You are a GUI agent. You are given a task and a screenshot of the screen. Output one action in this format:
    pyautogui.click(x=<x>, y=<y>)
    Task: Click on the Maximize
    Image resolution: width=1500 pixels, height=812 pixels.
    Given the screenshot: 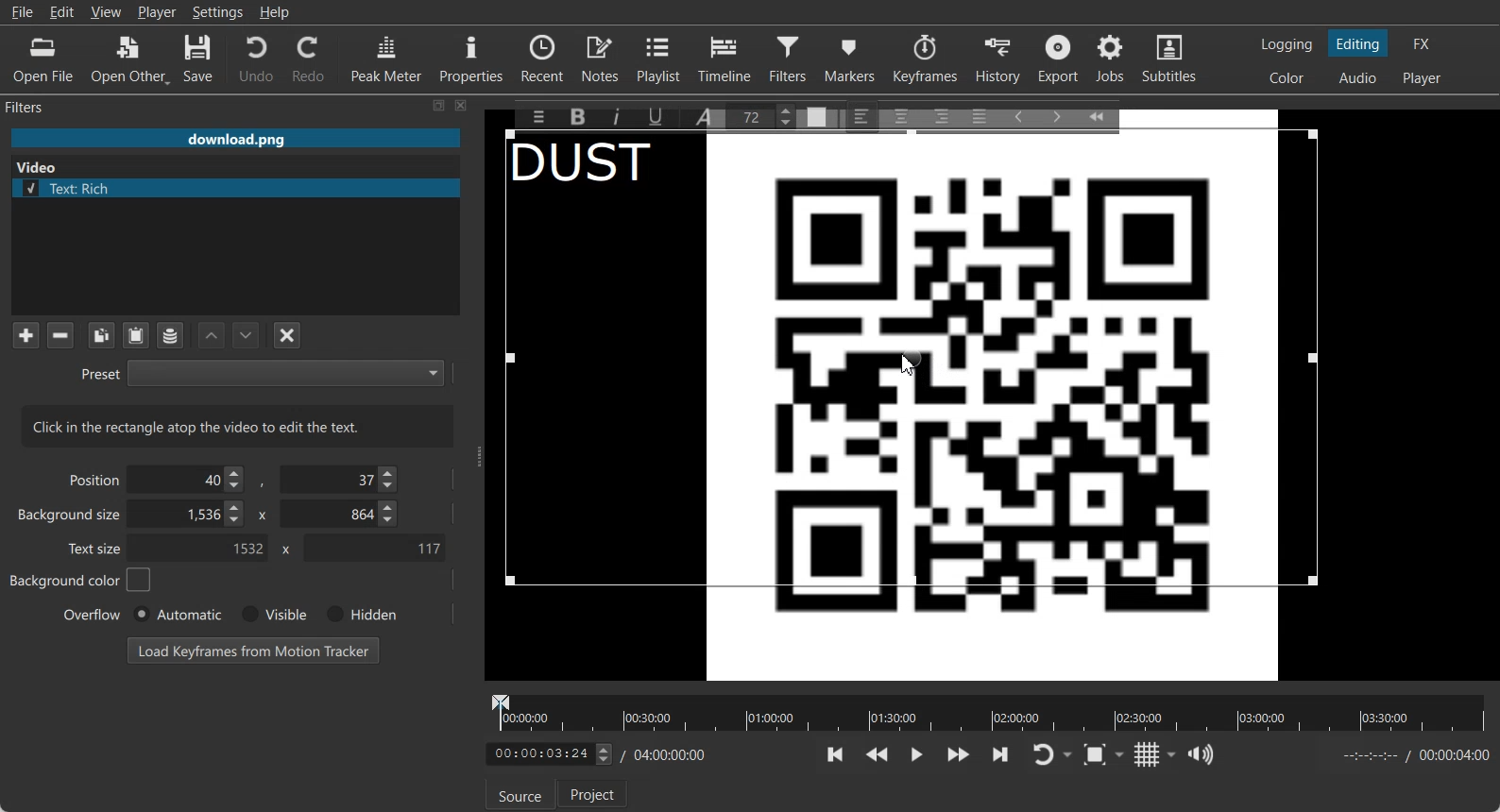 What is the action you would take?
    pyautogui.click(x=439, y=105)
    